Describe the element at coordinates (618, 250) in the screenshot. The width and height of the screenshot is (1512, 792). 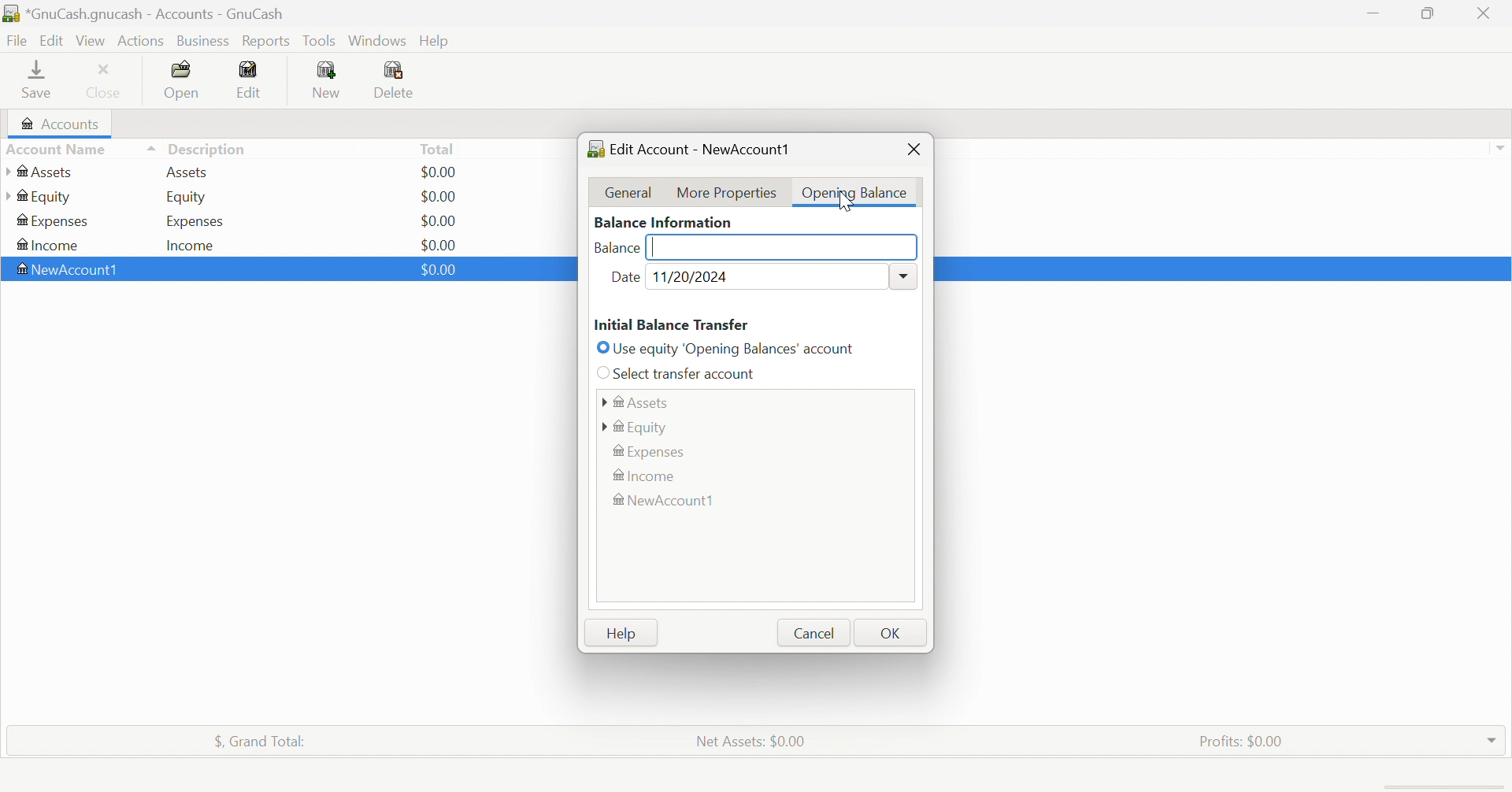
I see `Balance` at that location.